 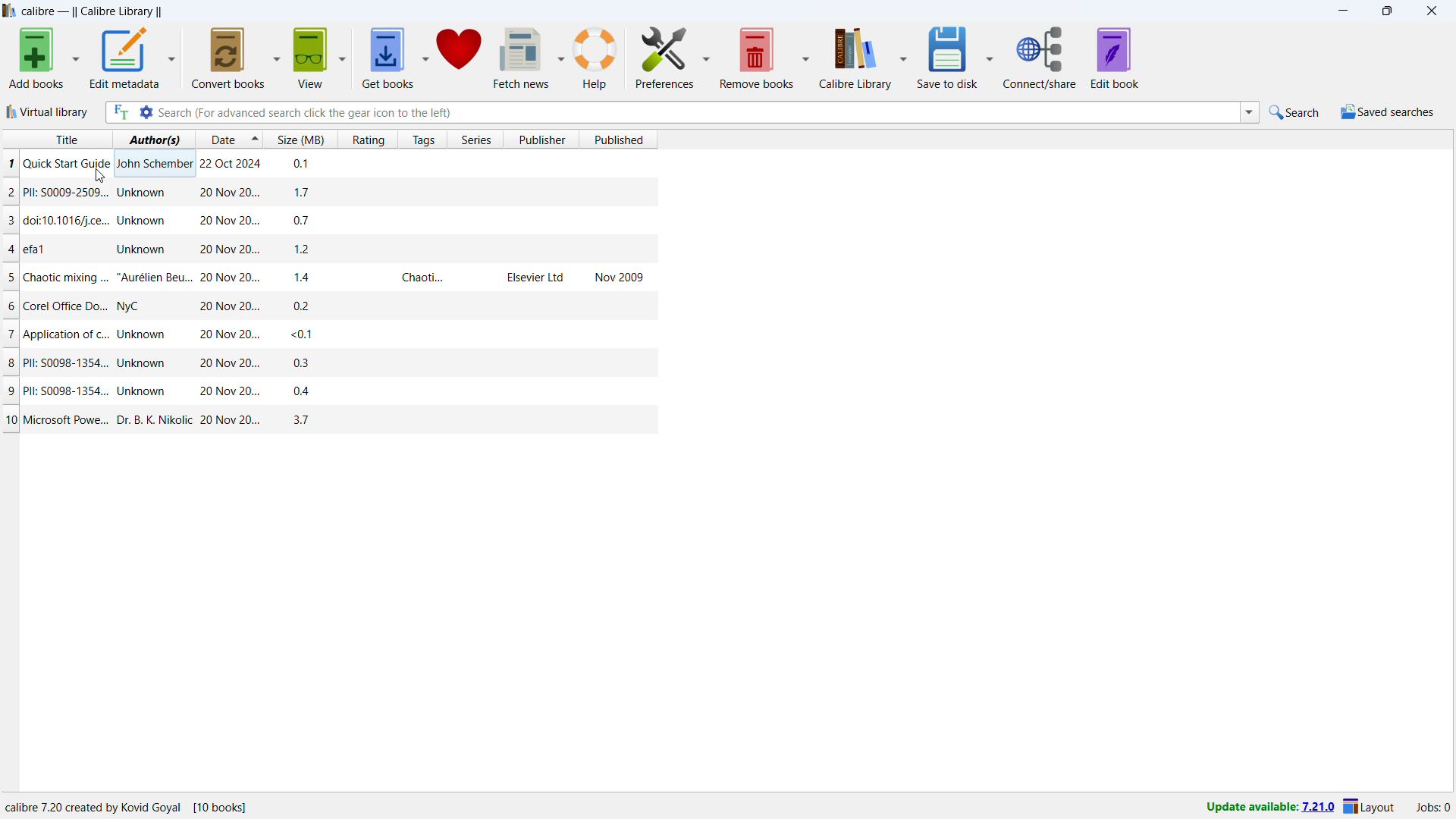 What do you see at coordinates (521, 56) in the screenshot?
I see `fetch news` at bounding box center [521, 56].